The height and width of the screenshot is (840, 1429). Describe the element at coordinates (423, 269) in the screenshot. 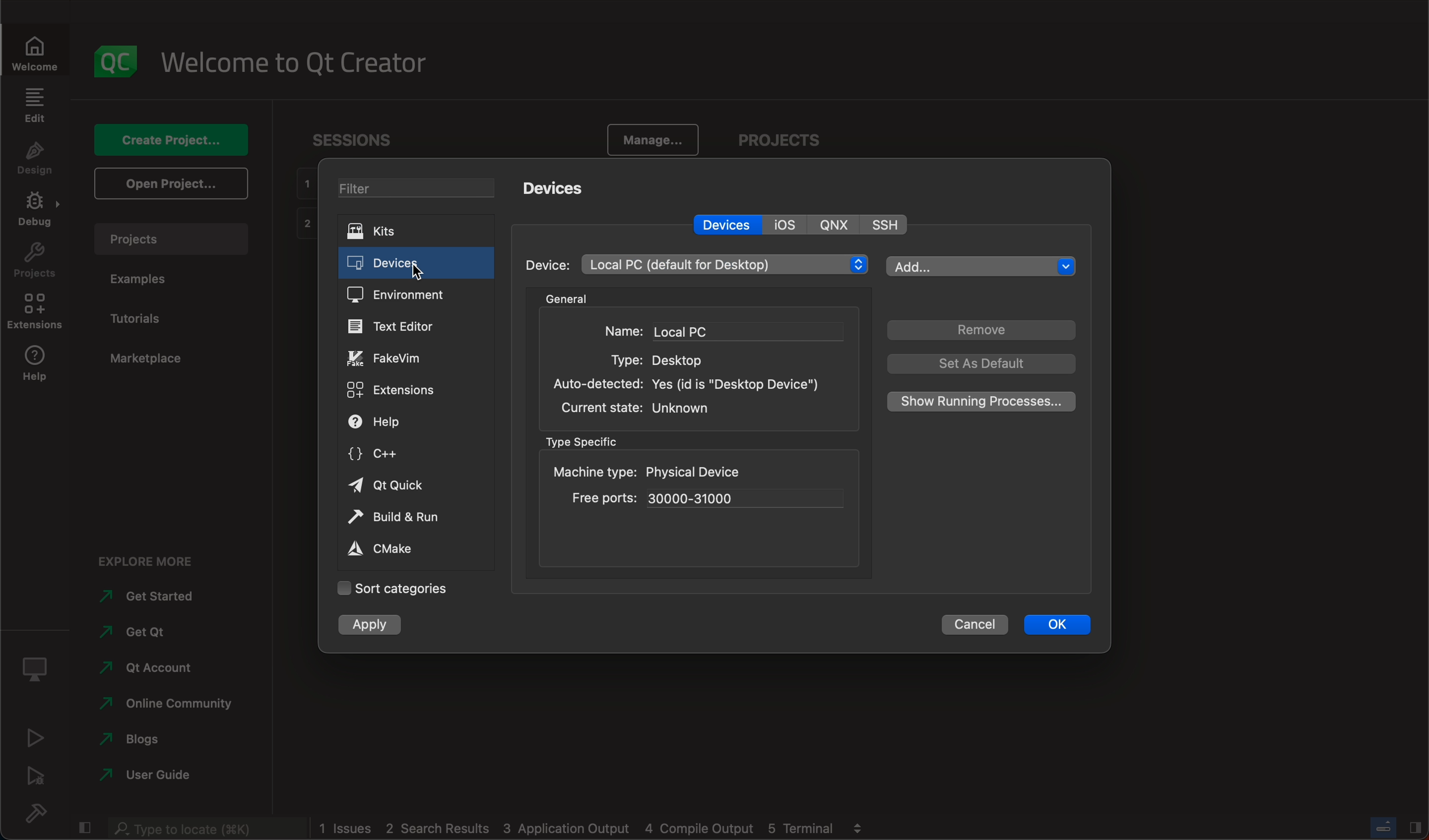

I see `cursor` at that location.